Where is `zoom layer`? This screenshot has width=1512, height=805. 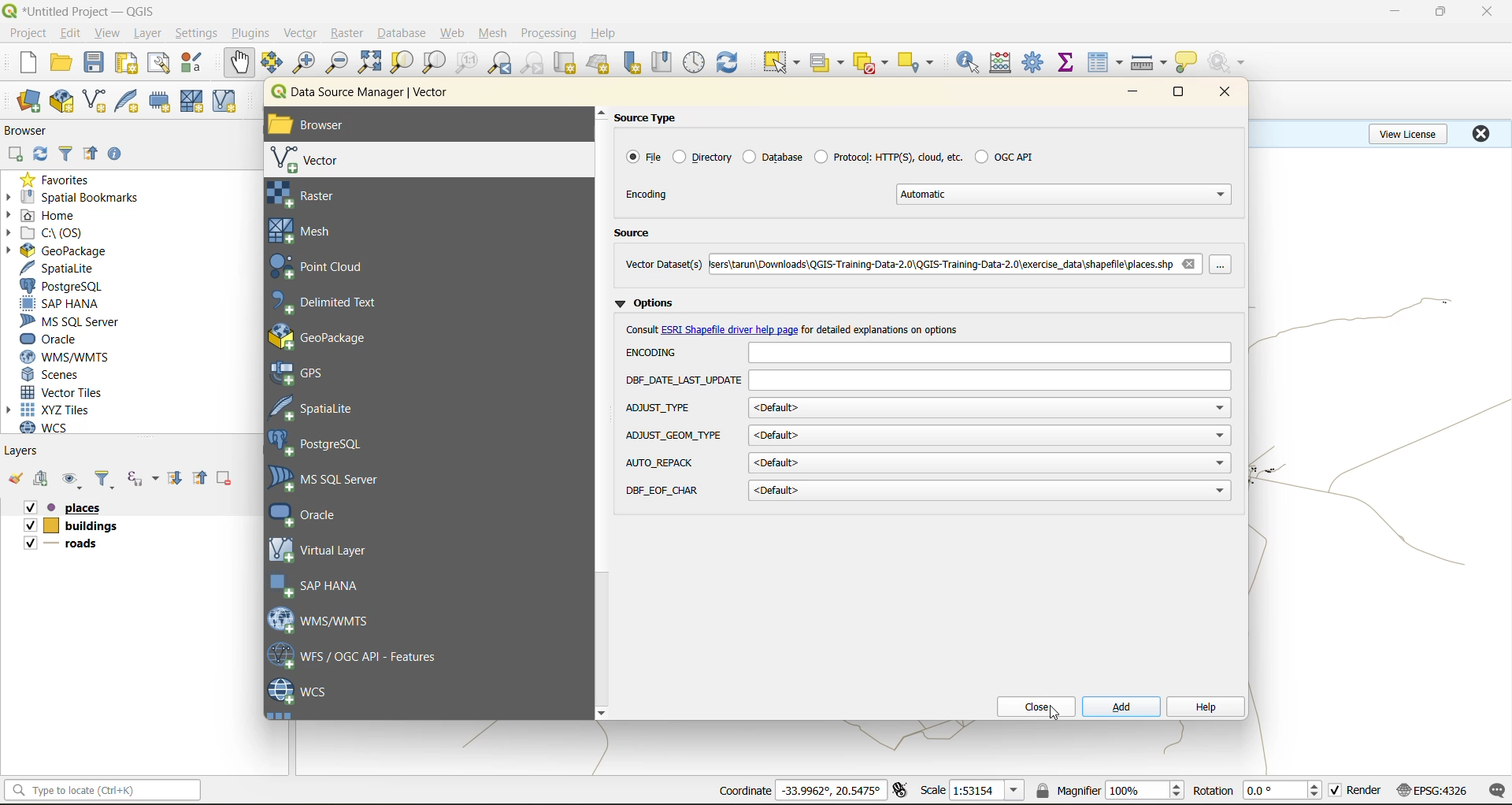
zoom layer is located at coordinates (435, 65).